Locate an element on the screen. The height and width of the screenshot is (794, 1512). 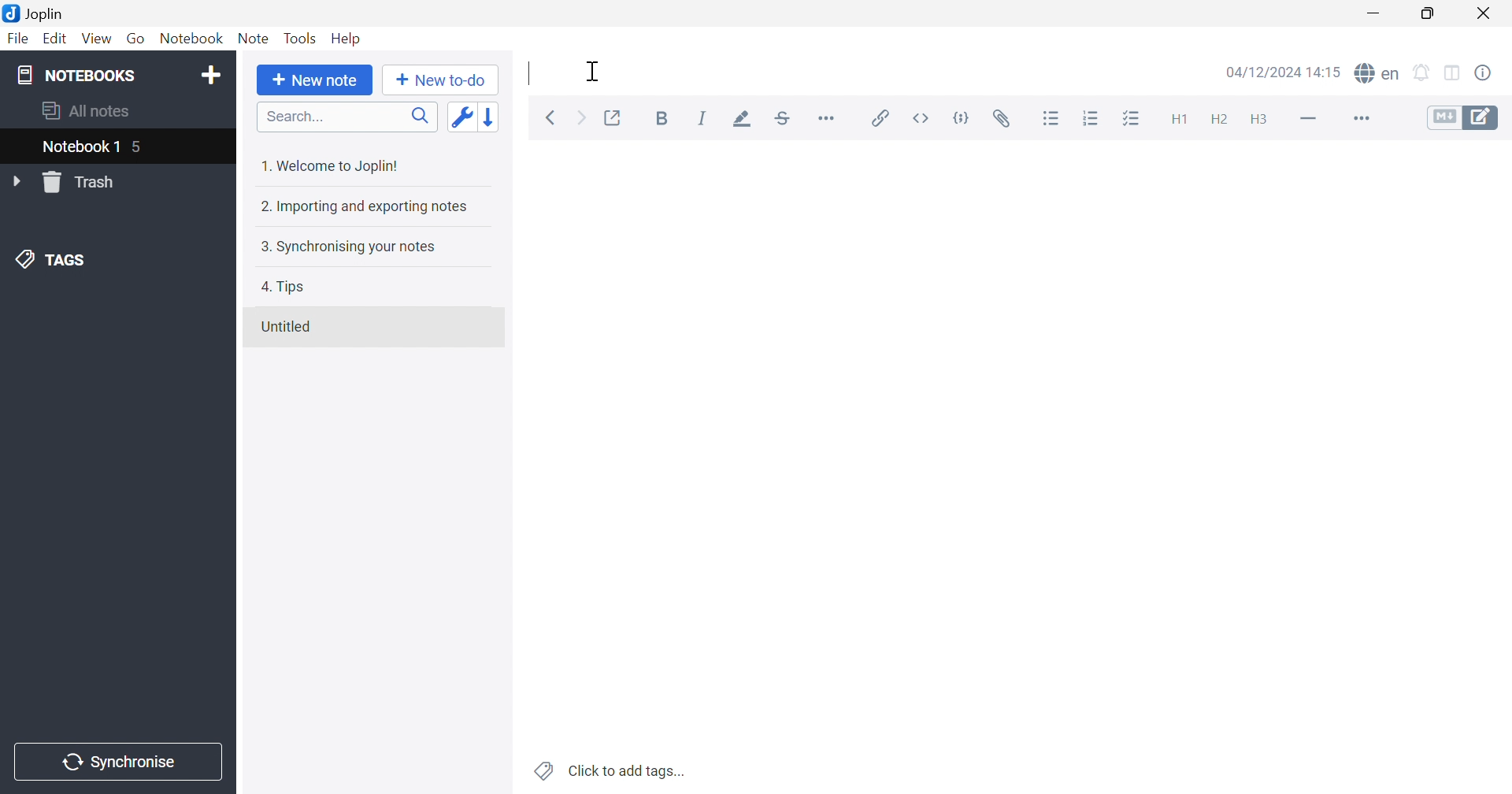
2. Importing and exporting notes is located at coordinates (362, 206).